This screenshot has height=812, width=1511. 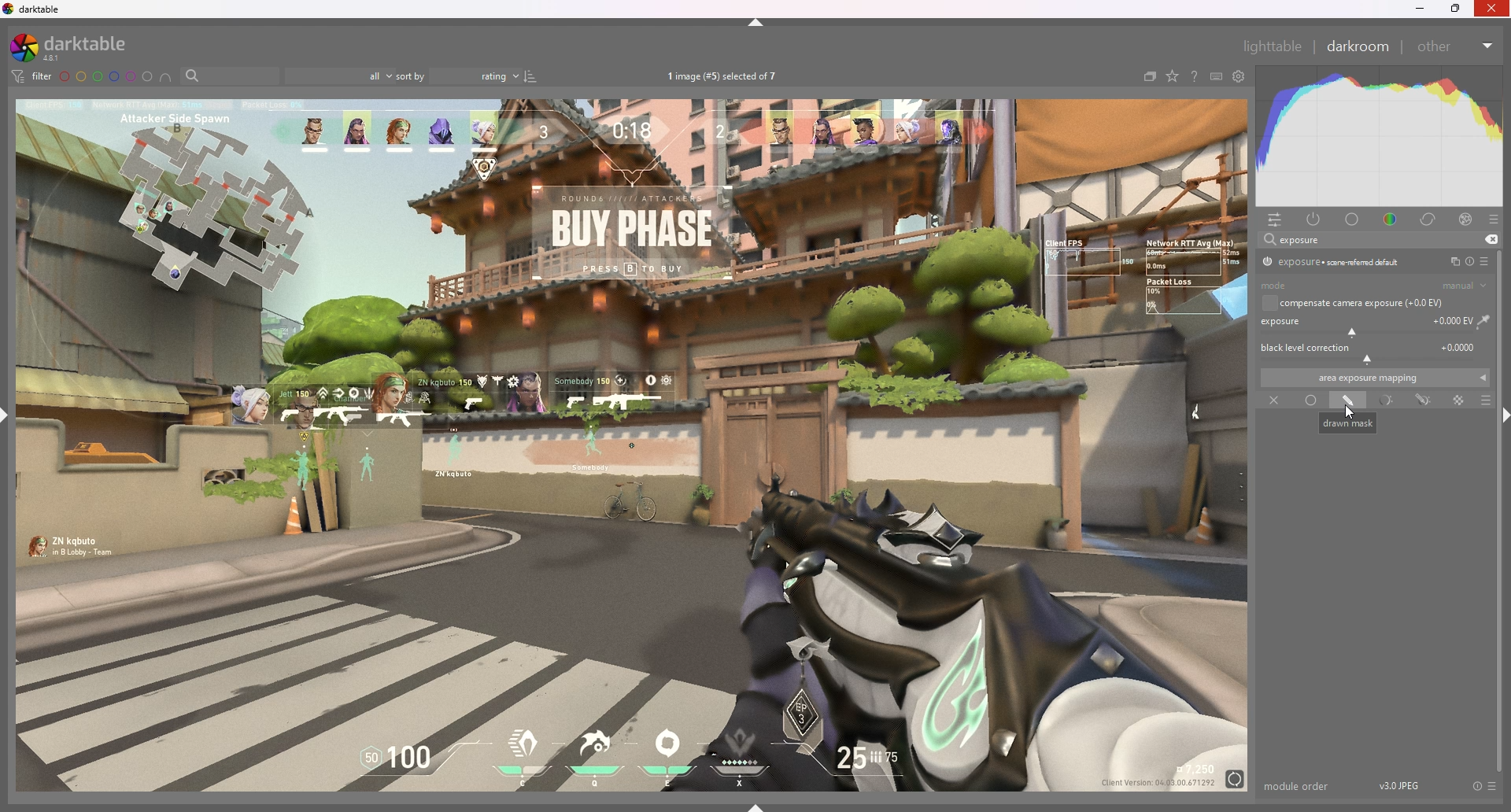 I want to click on heat graph, so click(x=1378, y=137).